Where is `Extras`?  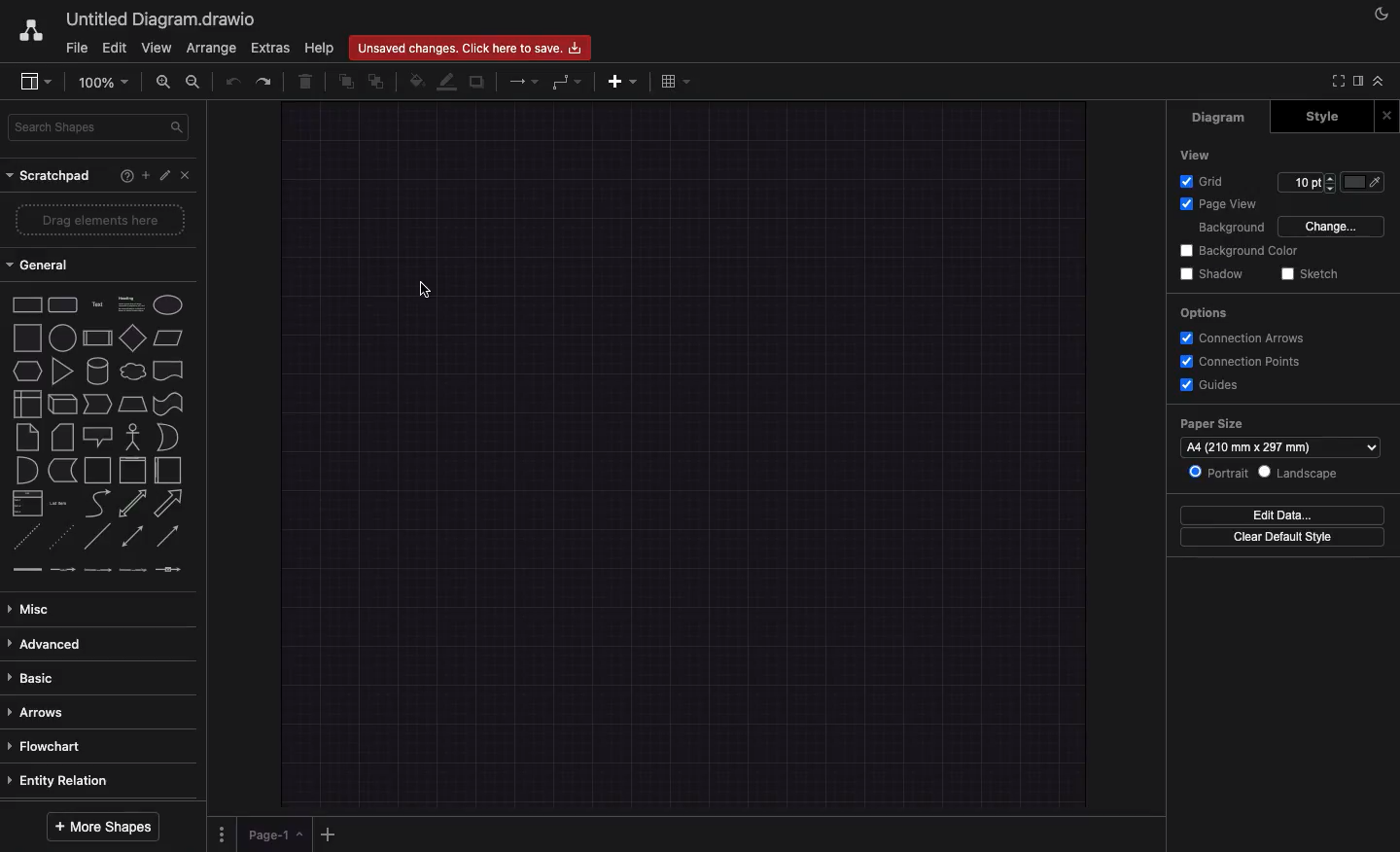 Extras is located at coordinates (270, 48).